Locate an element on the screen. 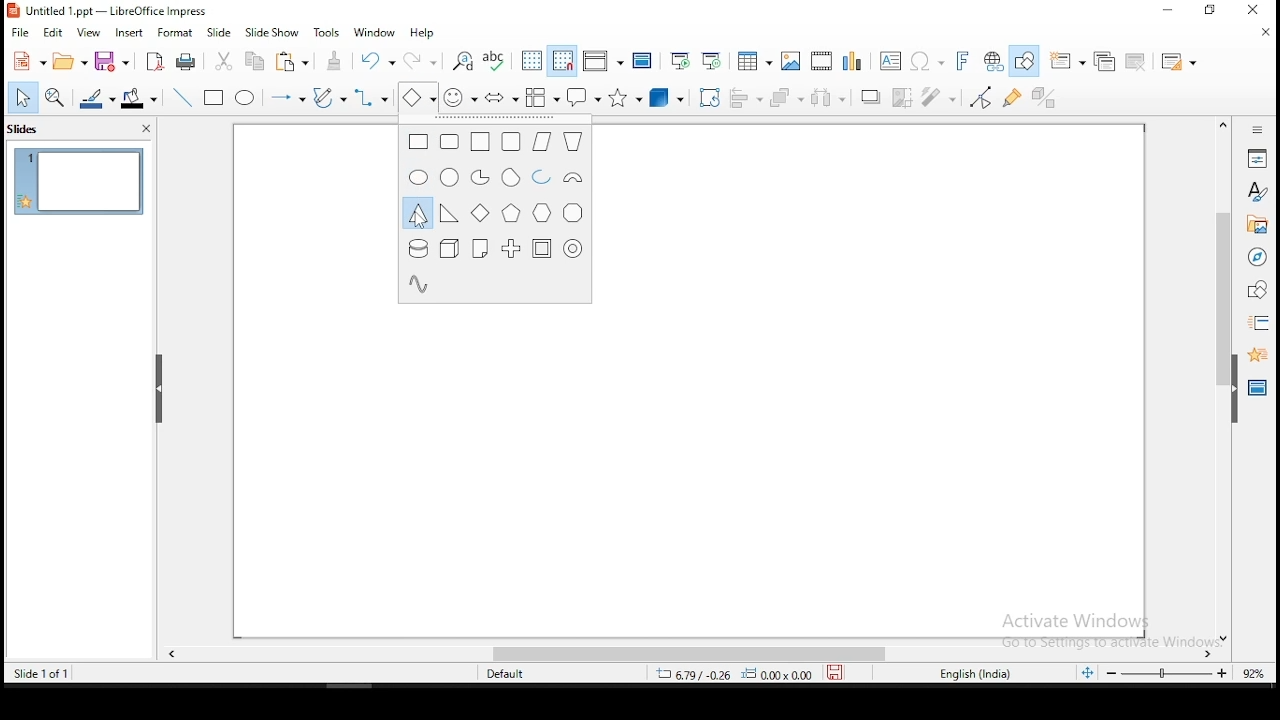  redo is located at coordinates (420, 60).